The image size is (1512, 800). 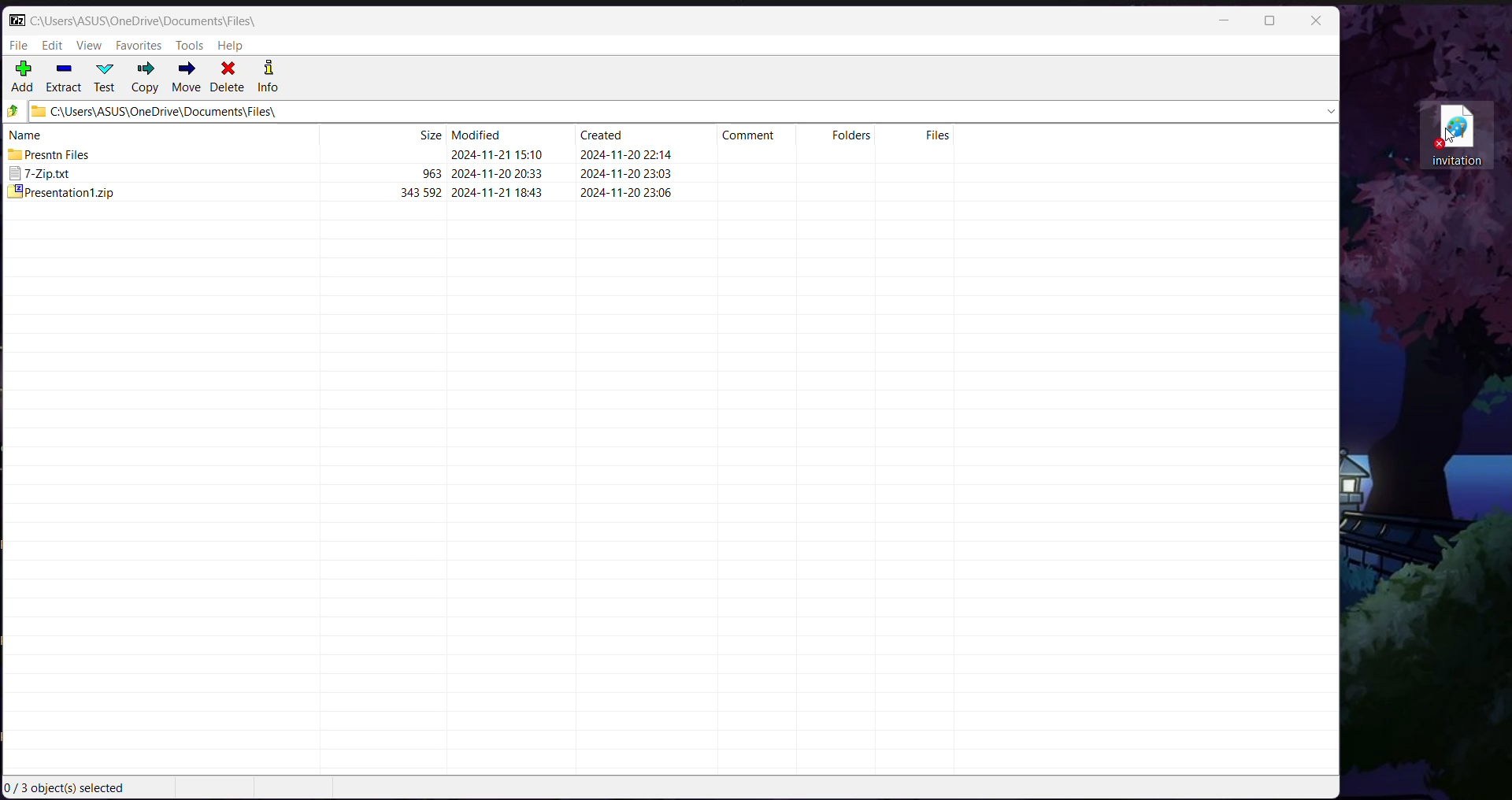 What do you see at coordinates (91, 45) in the screenshot?
I see `View` at bounding box center [91, 45].